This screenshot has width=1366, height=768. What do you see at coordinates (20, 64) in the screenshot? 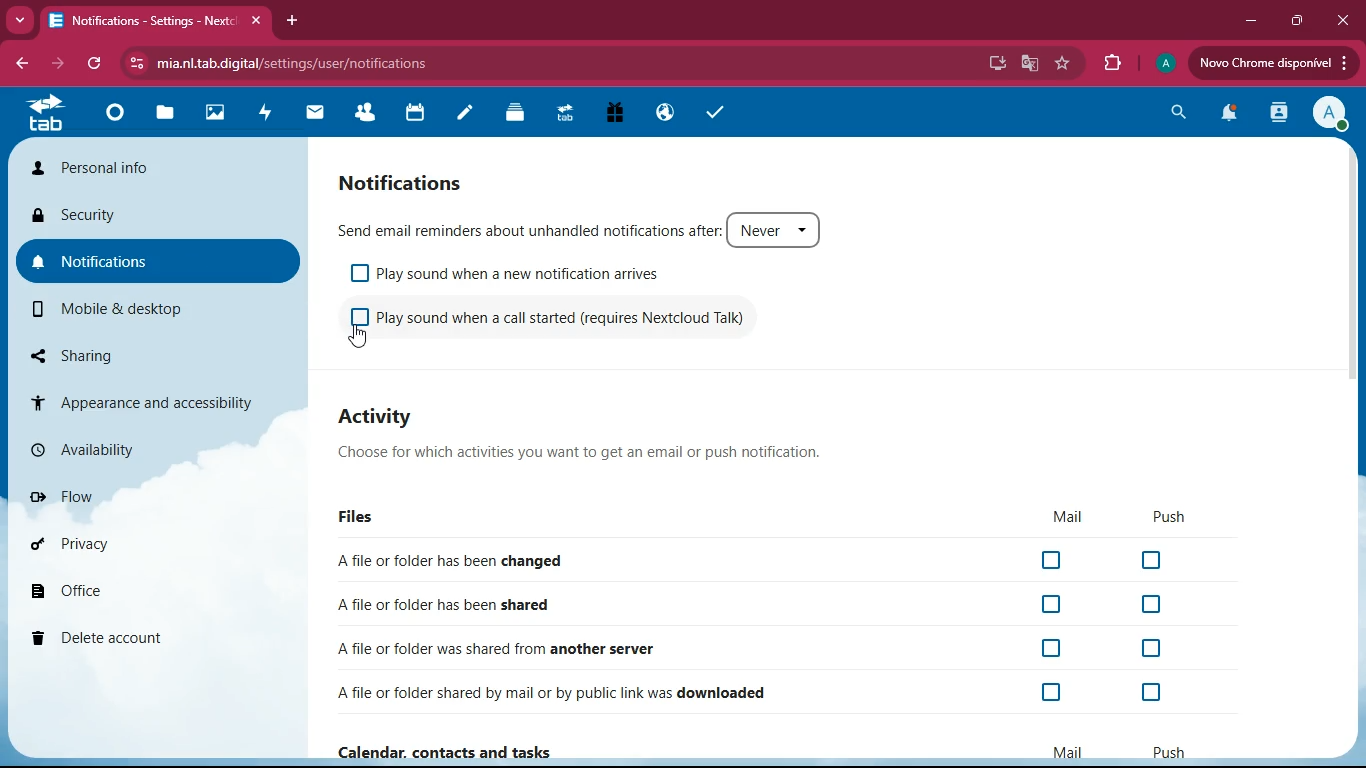
I see `back` at bounding box center [20, 64].